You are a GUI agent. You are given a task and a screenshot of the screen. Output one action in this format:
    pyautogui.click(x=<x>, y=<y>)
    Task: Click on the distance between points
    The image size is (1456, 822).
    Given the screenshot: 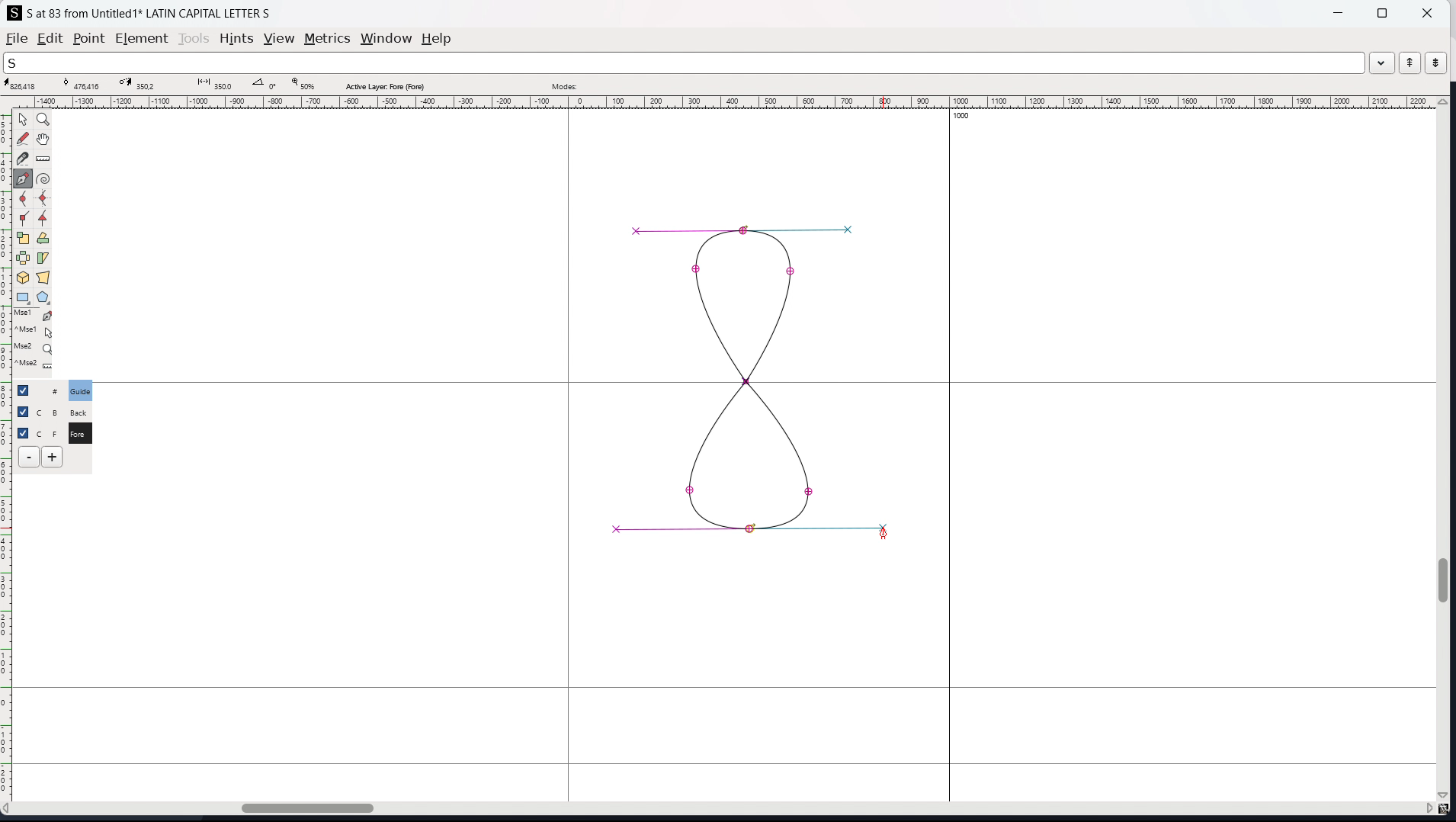 What is the action you would take?
    pyautogui.click(x=213, y=83)
    